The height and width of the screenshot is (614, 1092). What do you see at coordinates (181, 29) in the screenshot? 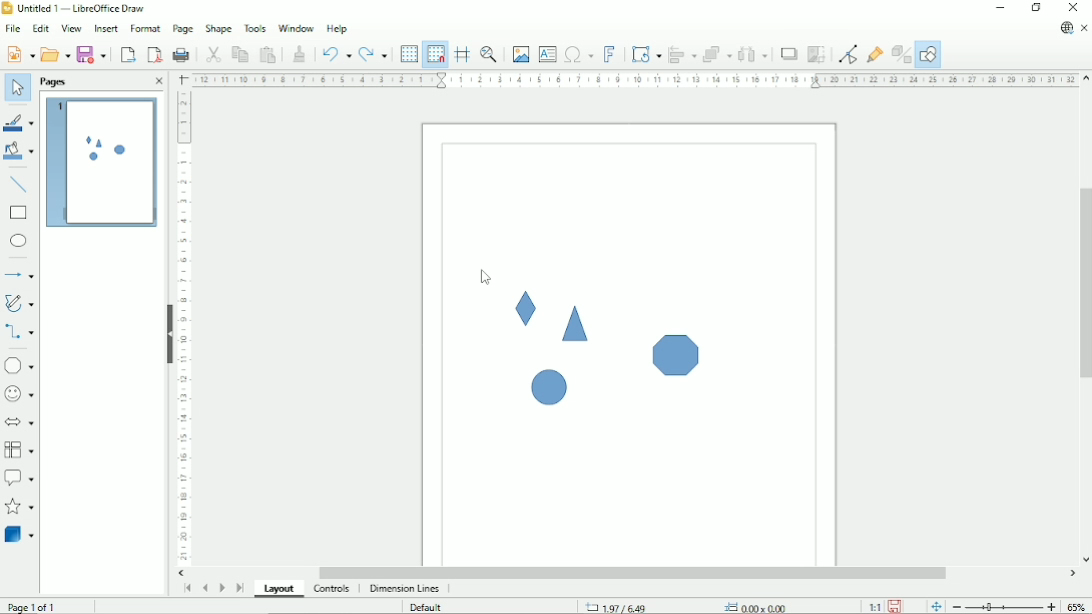
I see `Page` at bounding box center [181, 29].